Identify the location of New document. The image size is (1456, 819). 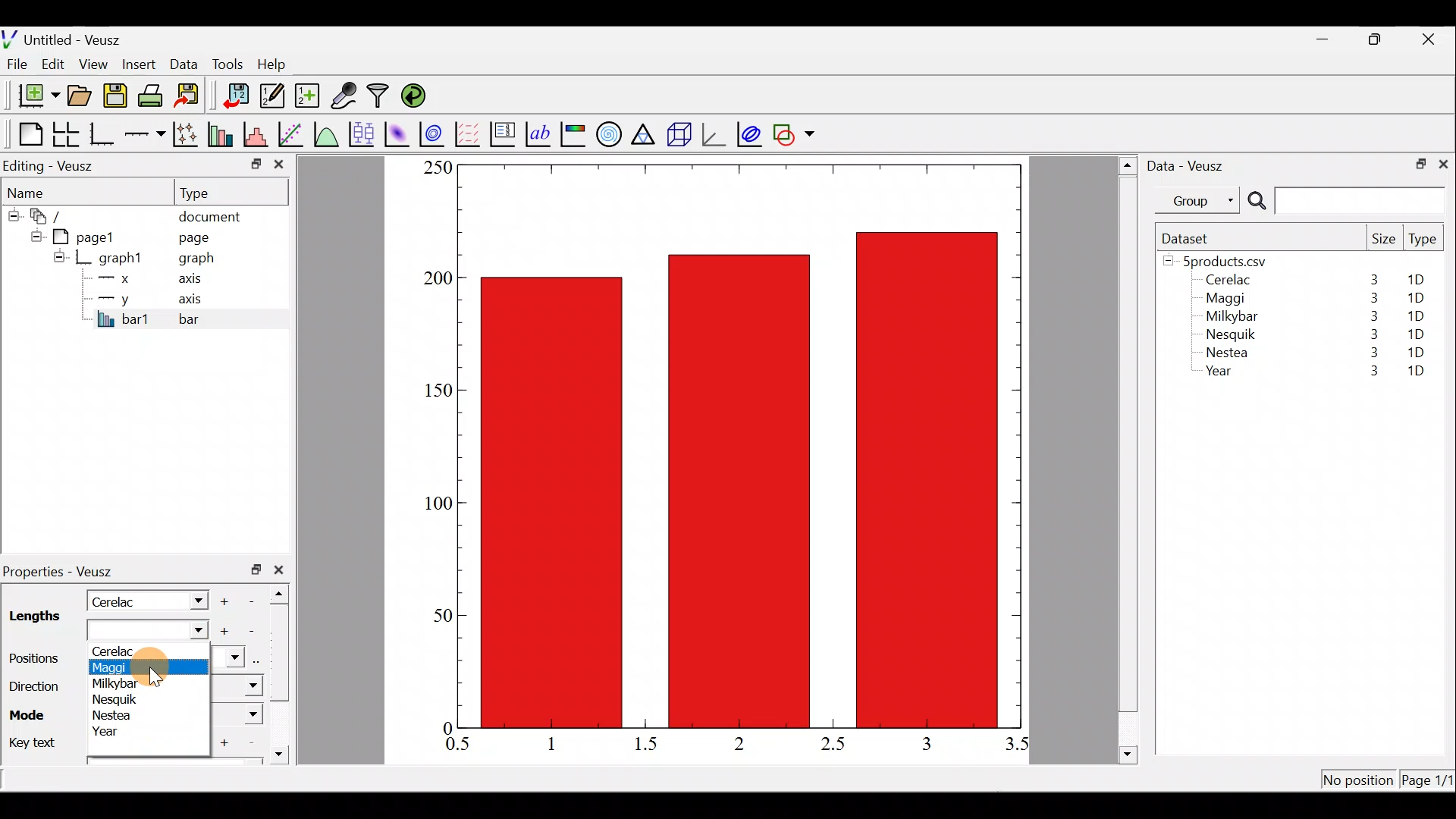
(33, 96).